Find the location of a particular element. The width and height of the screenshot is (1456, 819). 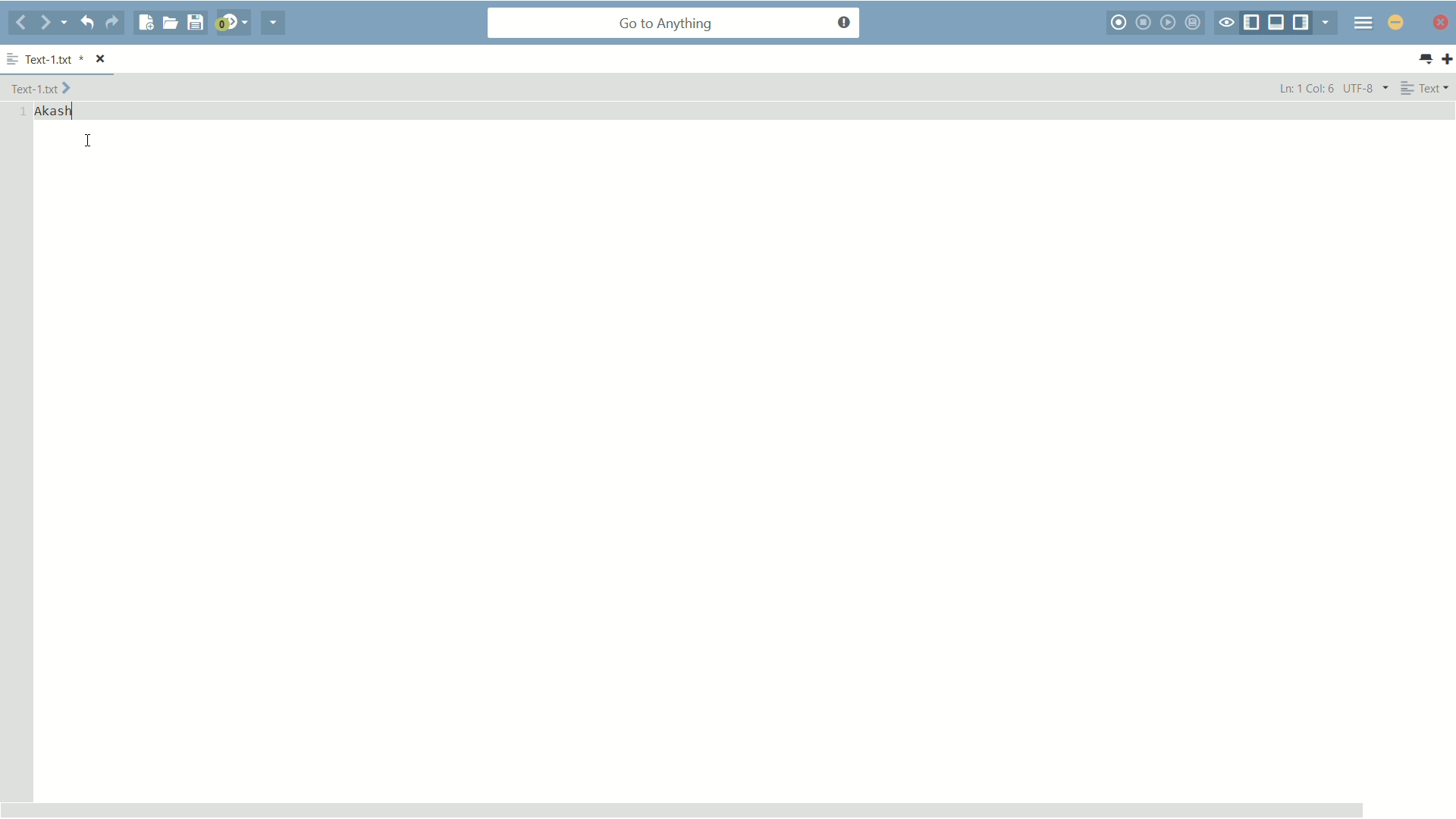

share current file is located at coordinates (272, 24).